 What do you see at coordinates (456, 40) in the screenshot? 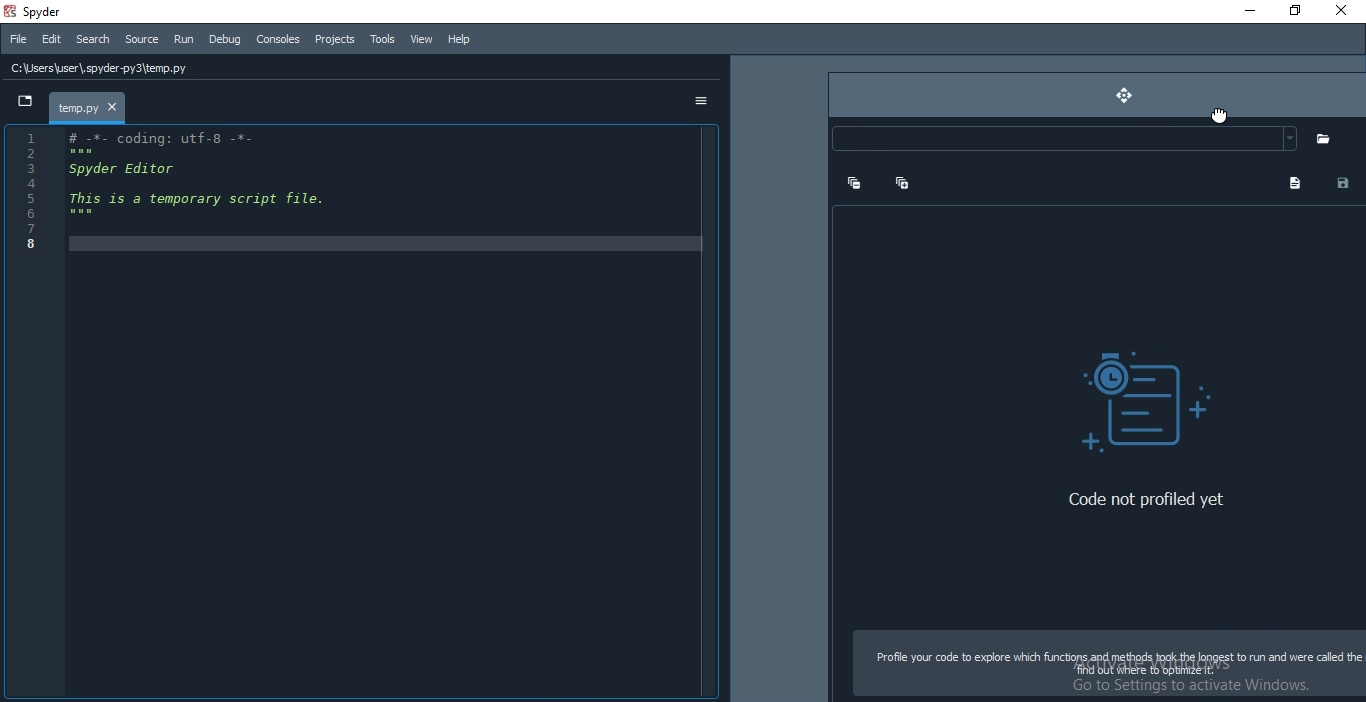
I see `Help` at bounding box center [456, 40].